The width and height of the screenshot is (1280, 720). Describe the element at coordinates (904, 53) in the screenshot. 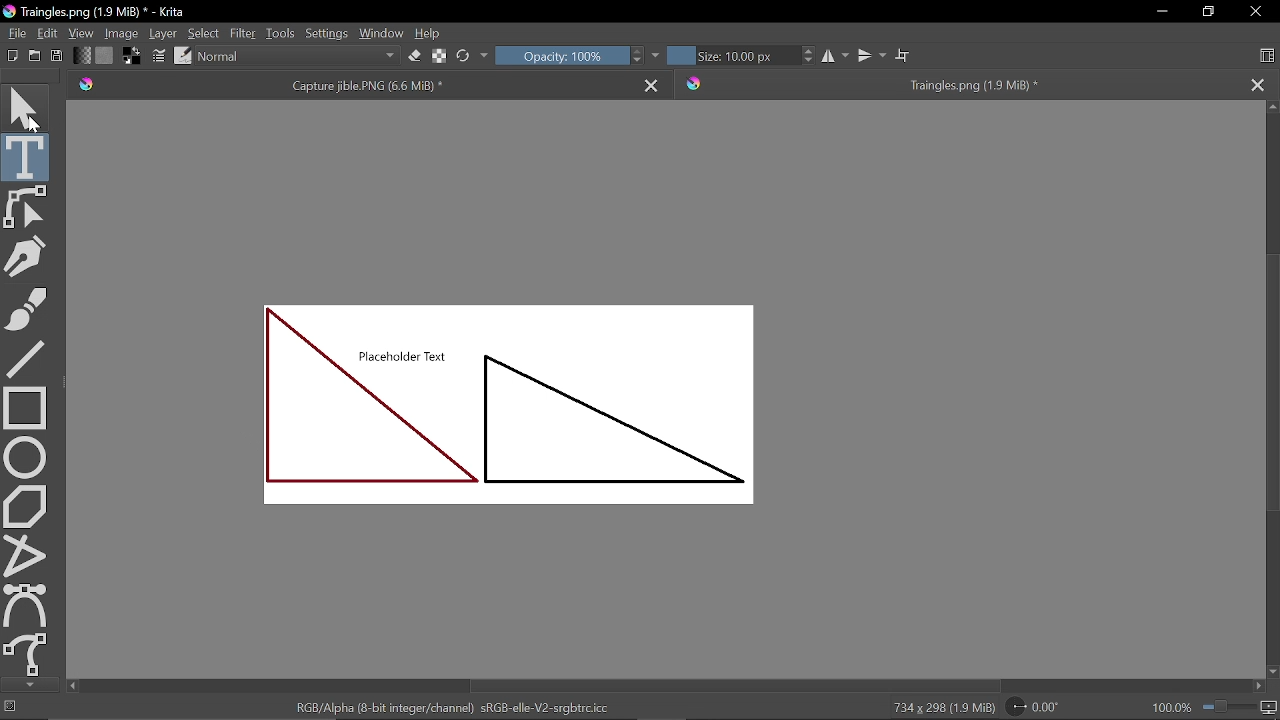

I see `Wrap around mode` at that location.